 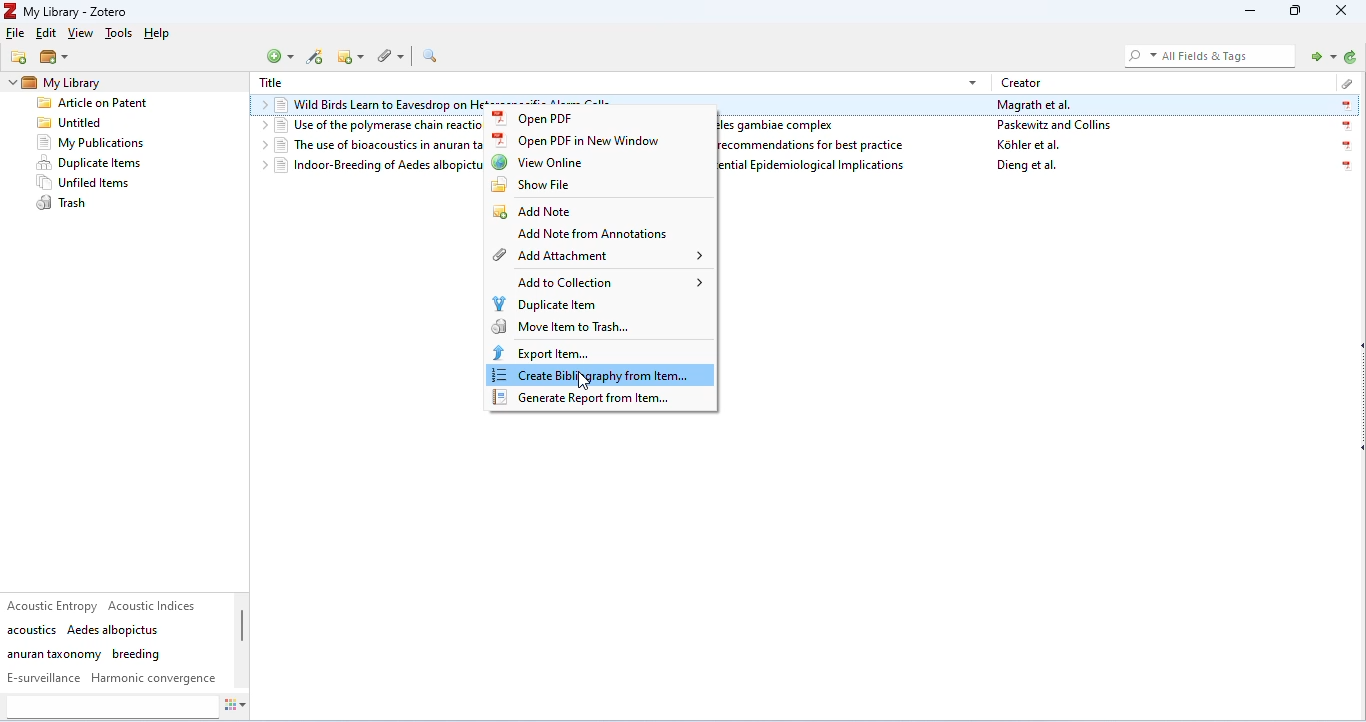 What do you see at coordinates (20, 57) in the screenshot?
I see `new collection` at bounding box center [20, 57].